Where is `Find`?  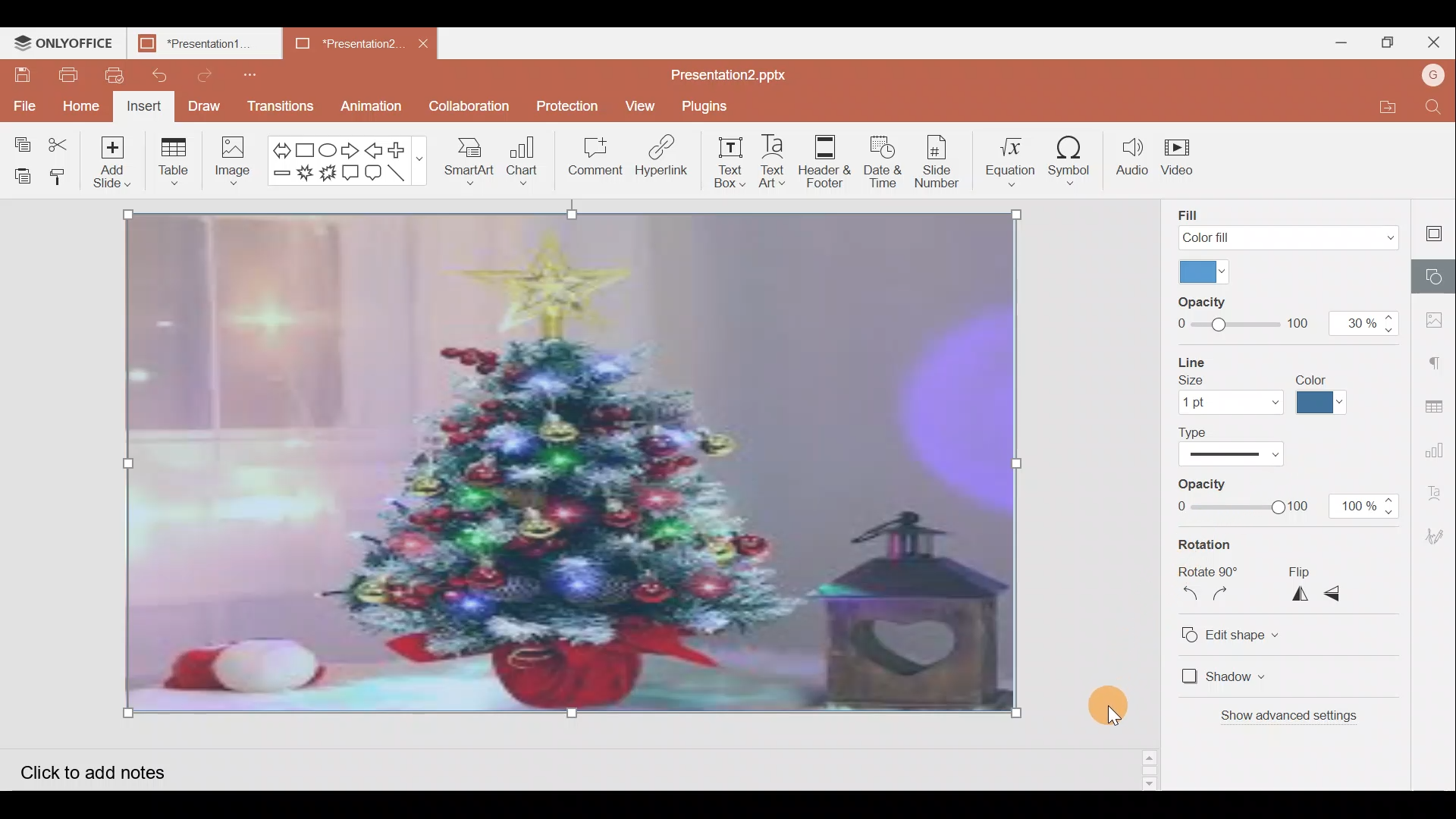
Find is located at coordinates (1438, 108).